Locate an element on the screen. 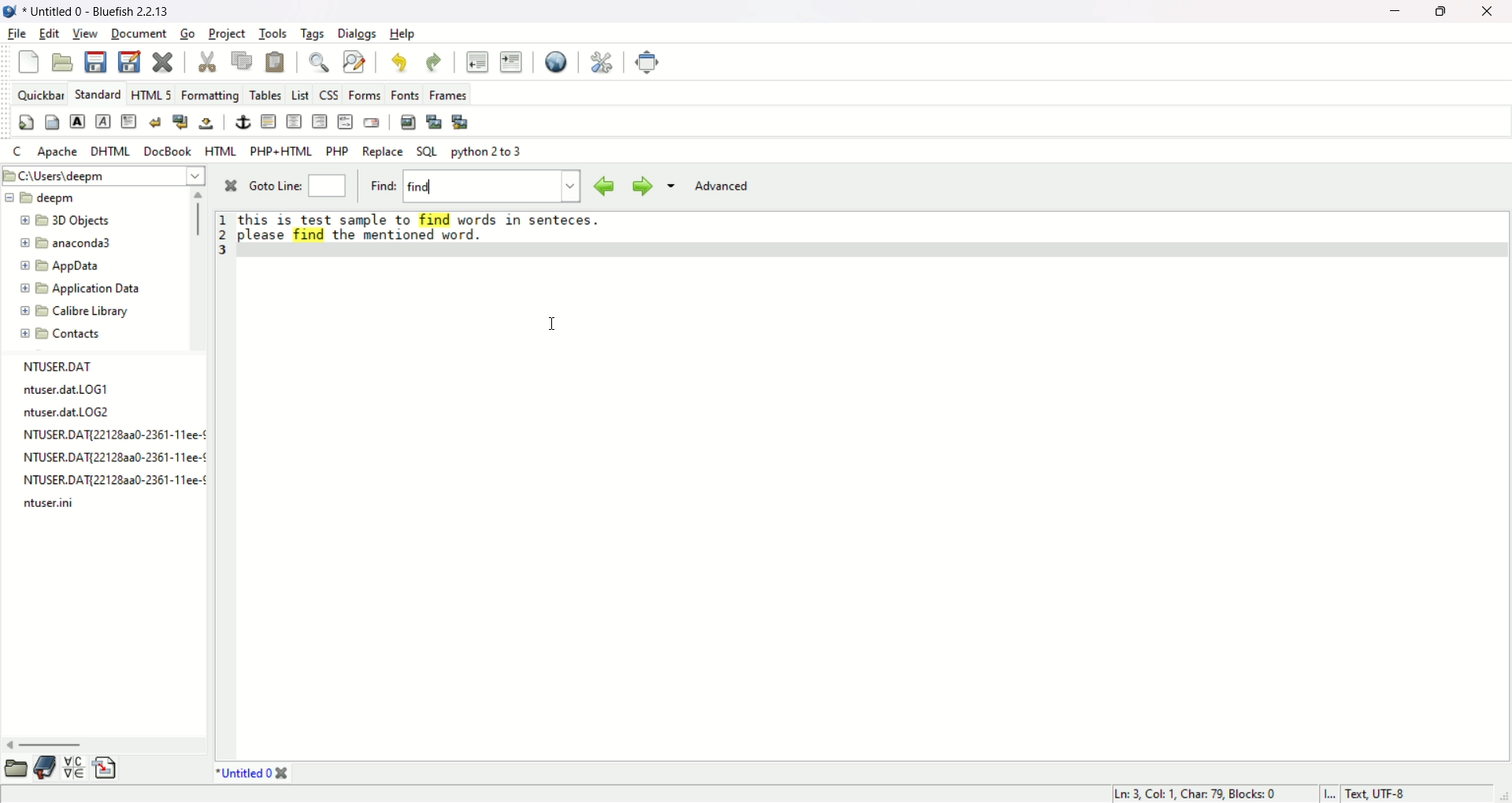  python 2 to 3 is located at coordinates (486, 152).